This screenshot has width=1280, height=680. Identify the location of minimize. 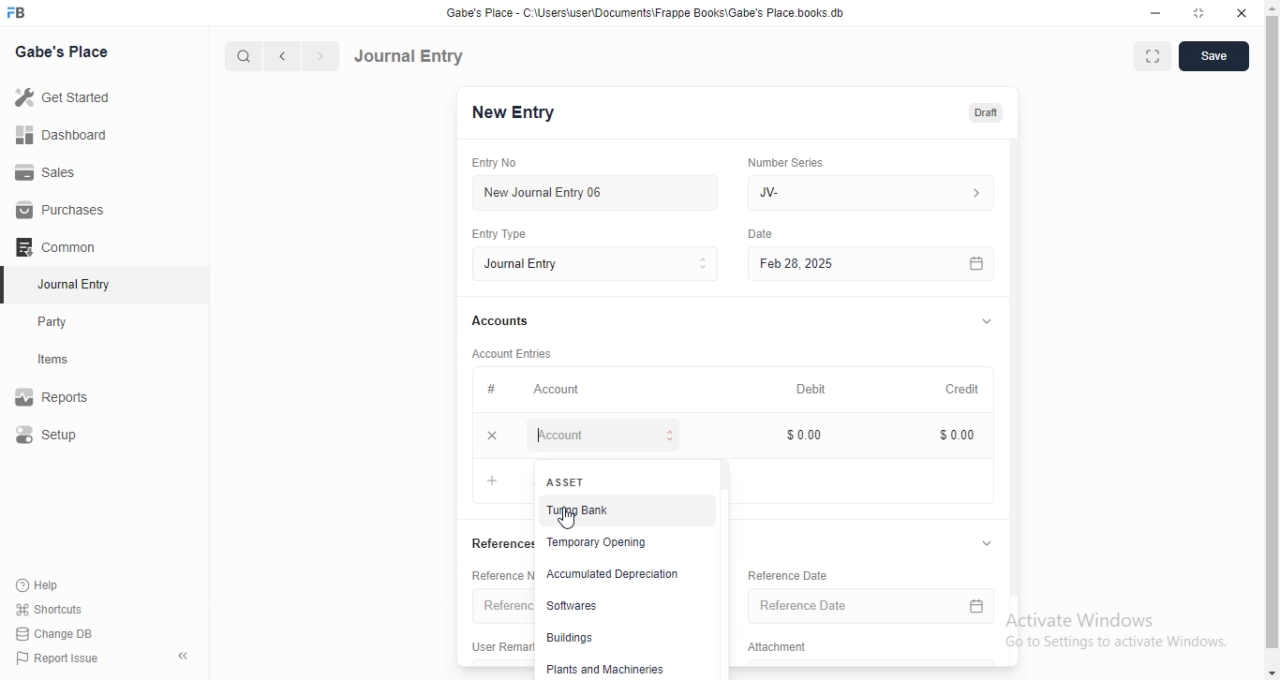
(1156, 14).